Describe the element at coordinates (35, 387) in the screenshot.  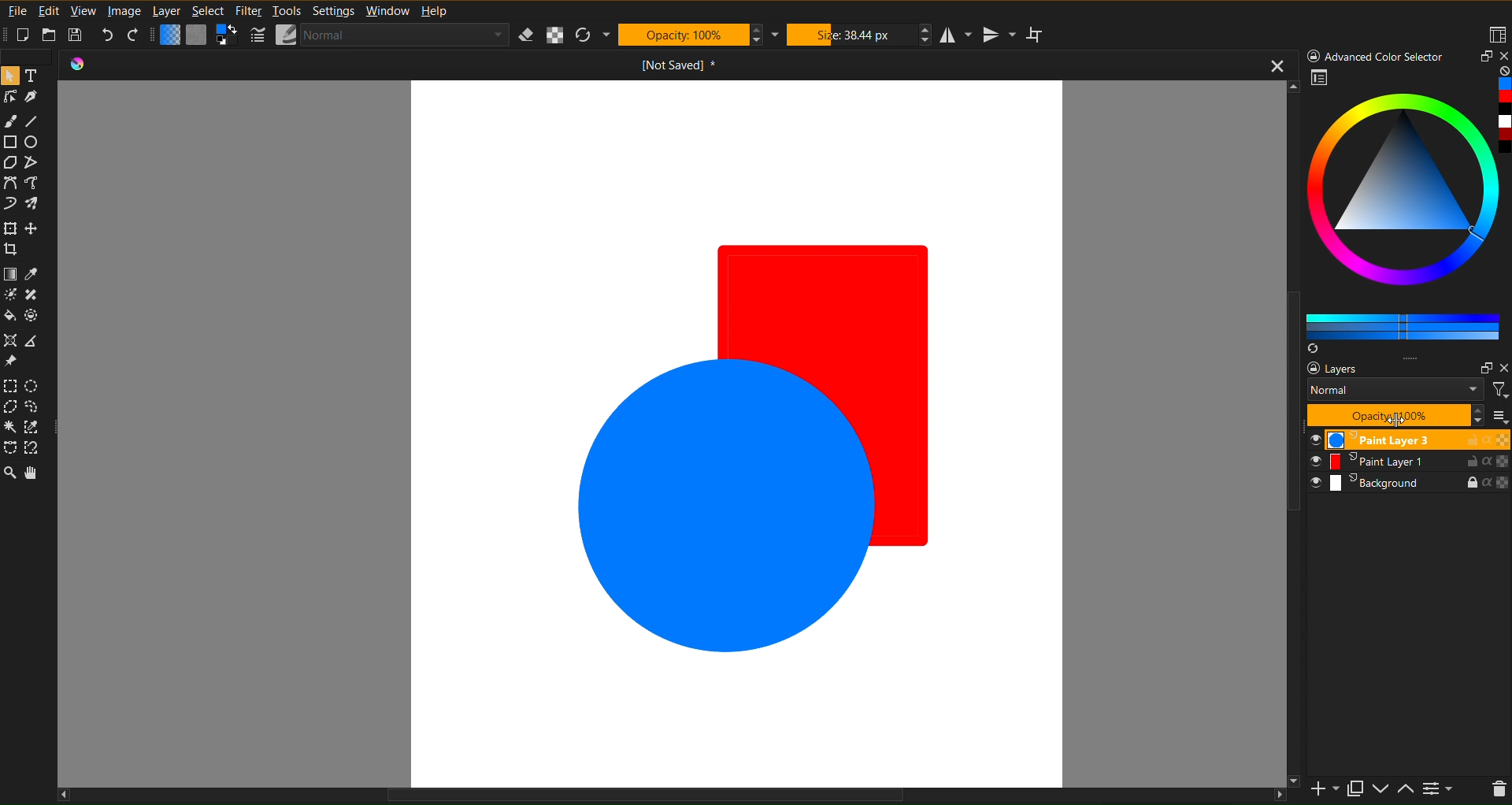
I see `Selection Tool` at that location.